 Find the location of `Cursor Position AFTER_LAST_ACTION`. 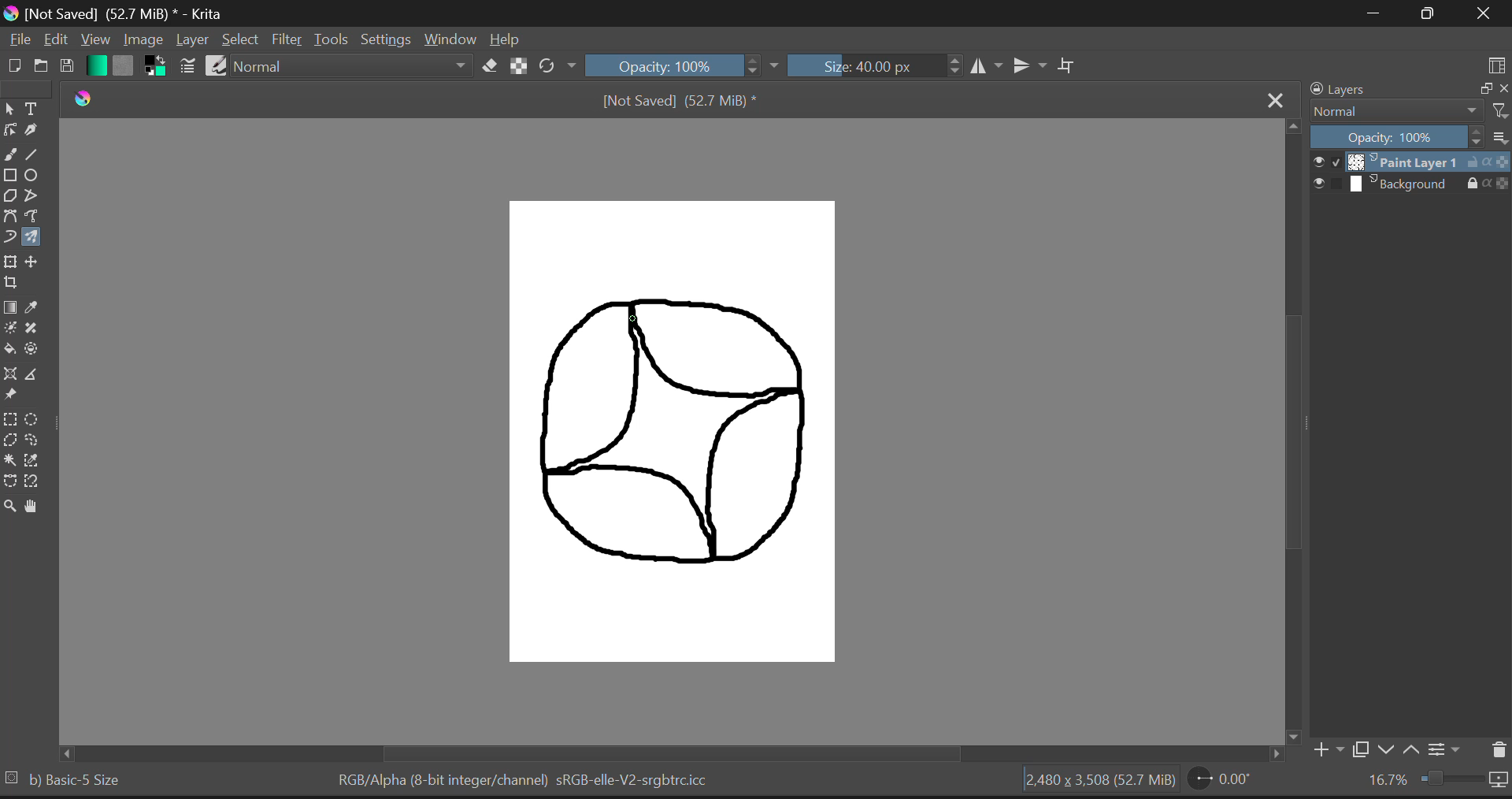

Cursor Position AFTER_LAST_ACTION is located at coordinates (636, 315).